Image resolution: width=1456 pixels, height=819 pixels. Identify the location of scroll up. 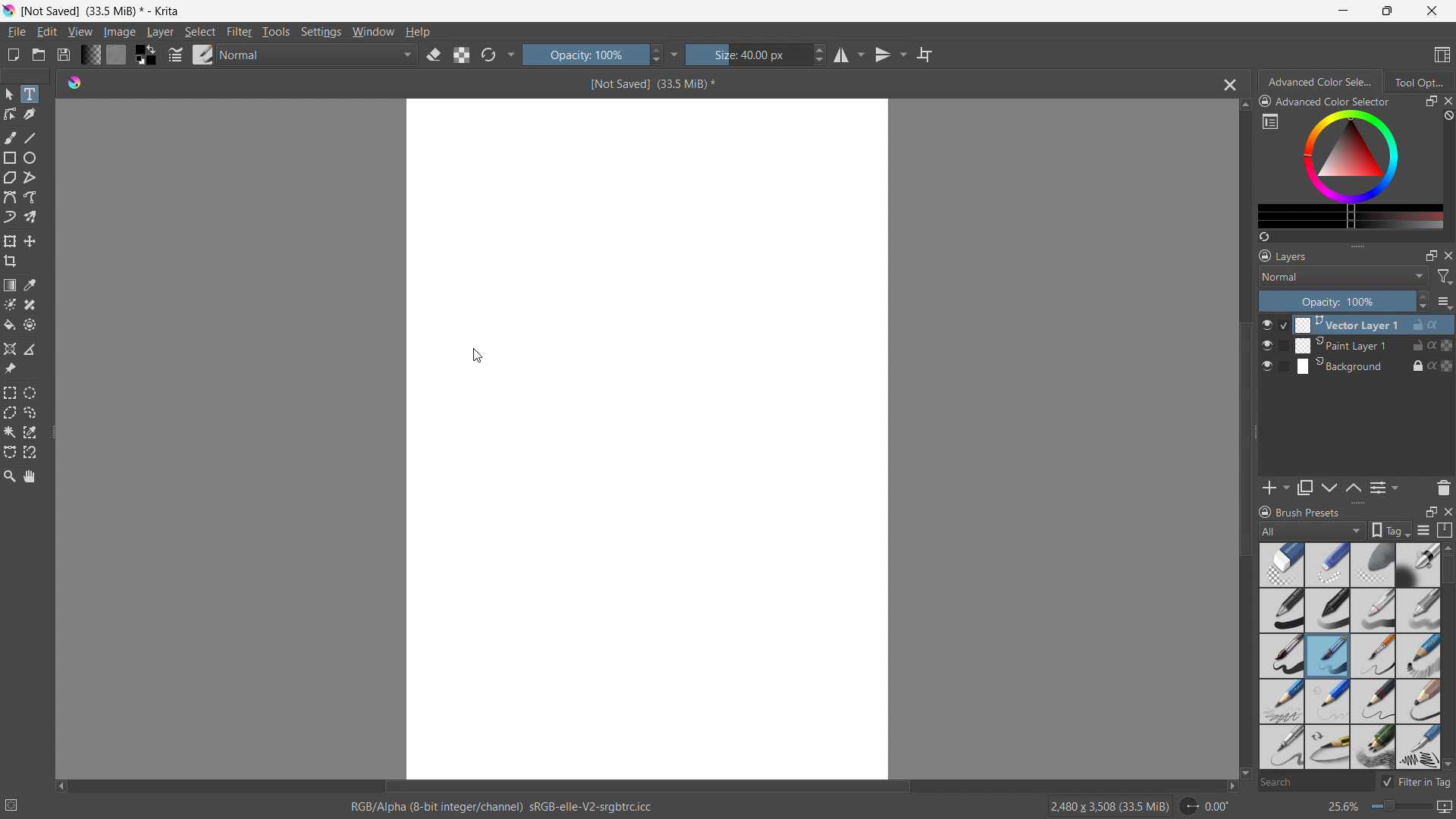
(1447, 548).